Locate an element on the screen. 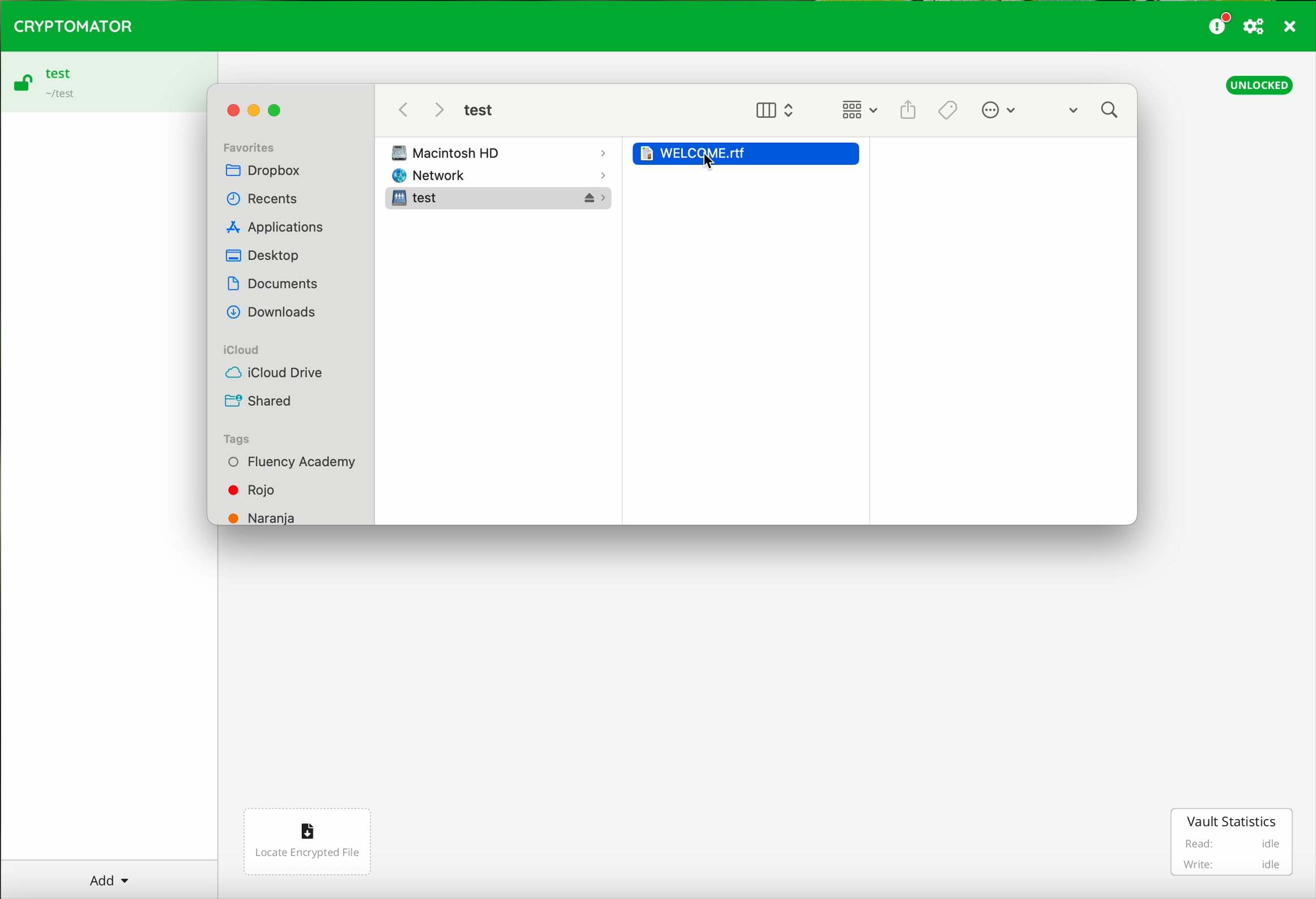 The height and width of the screenshot is (899, 1316). Desktop is located at coordinates (263, 254).